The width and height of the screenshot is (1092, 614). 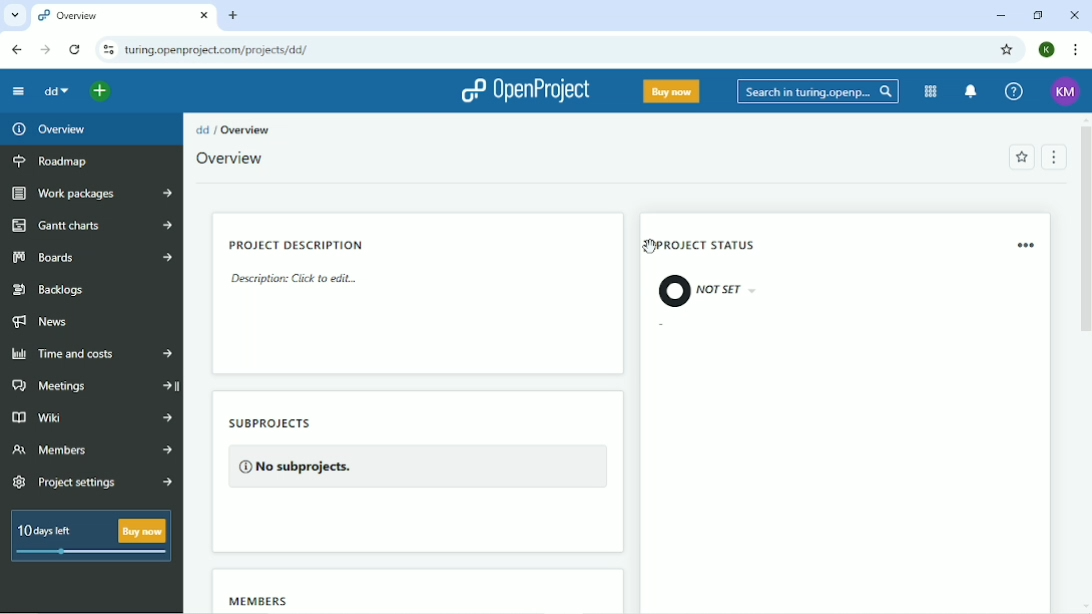 I want to click on Forward, so click(x=45, y=50).